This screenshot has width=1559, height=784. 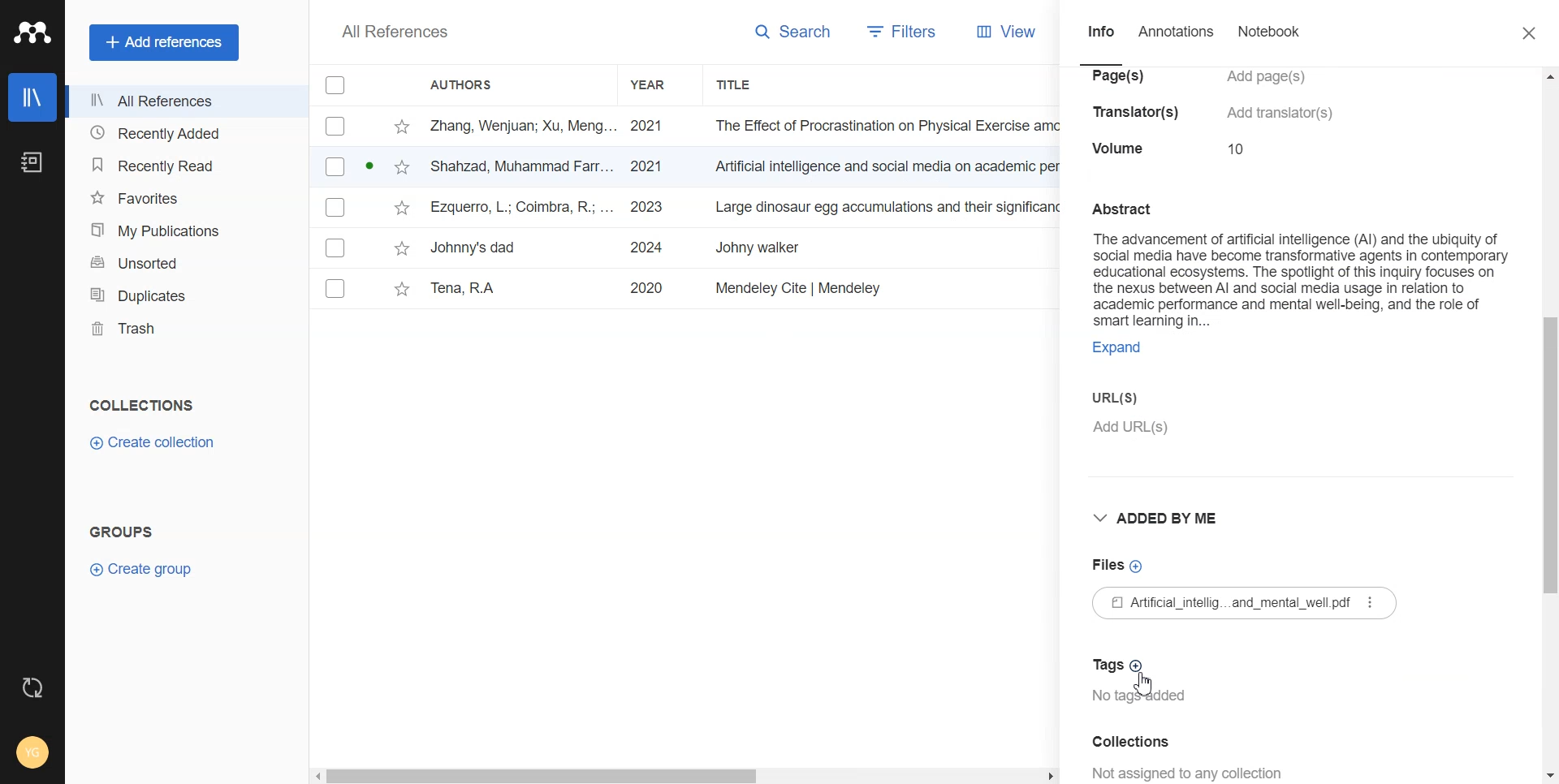 I want to click on Vertical scroll bar, so click(x=1549, y=424).